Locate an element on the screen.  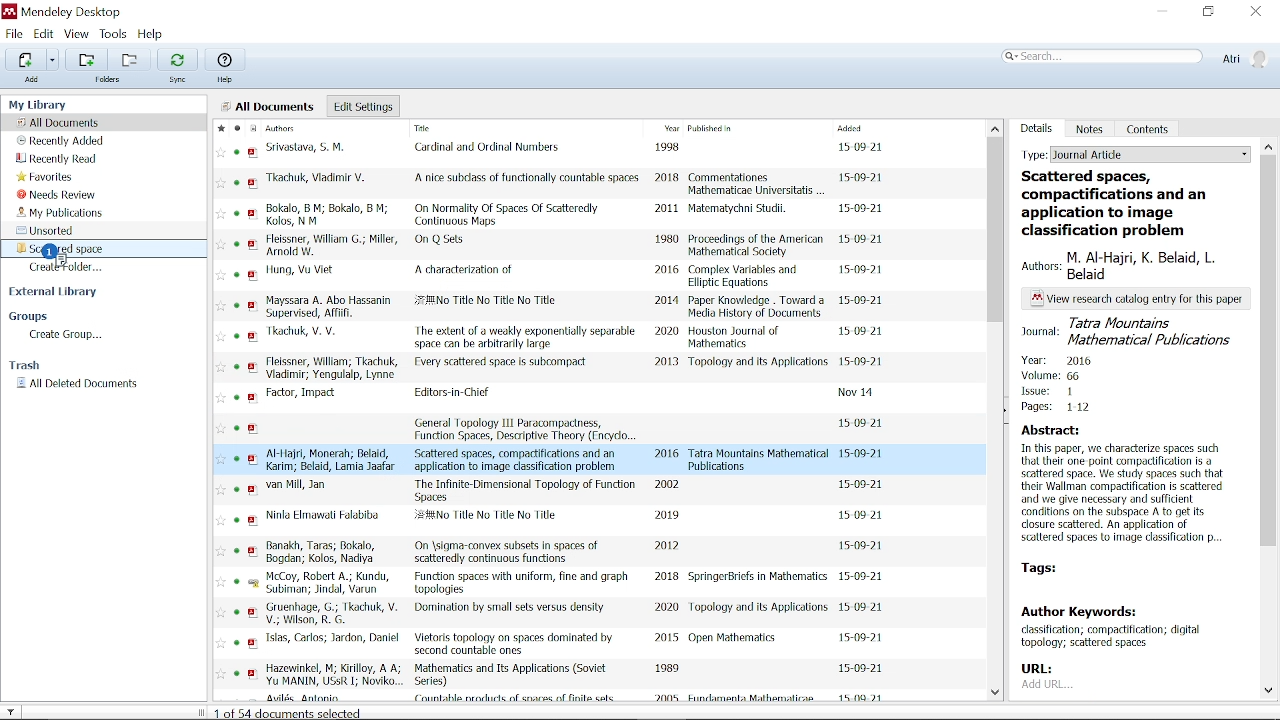
Profile is located at coordinates (1244, 59).